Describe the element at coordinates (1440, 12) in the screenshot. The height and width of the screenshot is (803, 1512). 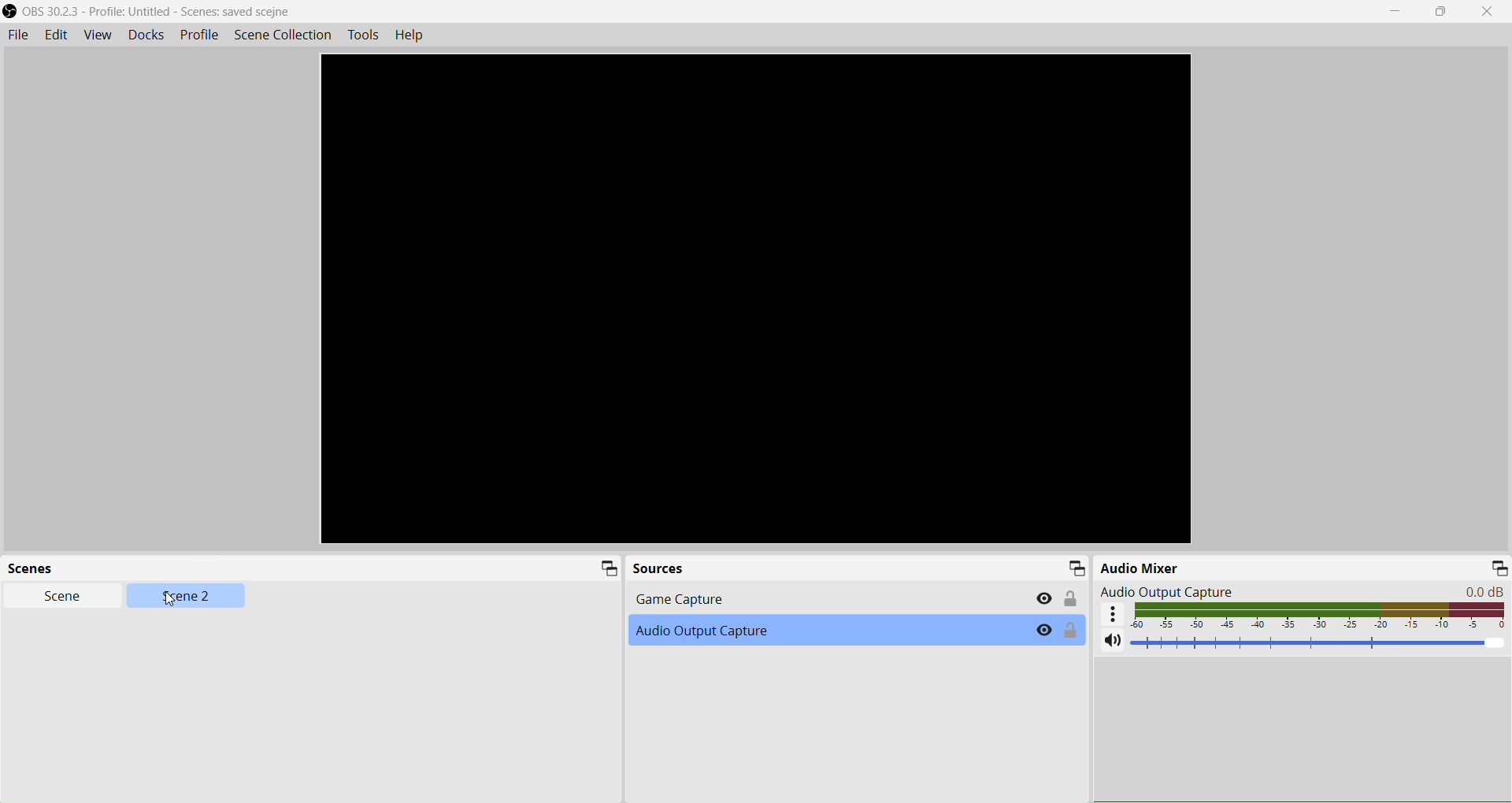
I see `Maximize` at that location.